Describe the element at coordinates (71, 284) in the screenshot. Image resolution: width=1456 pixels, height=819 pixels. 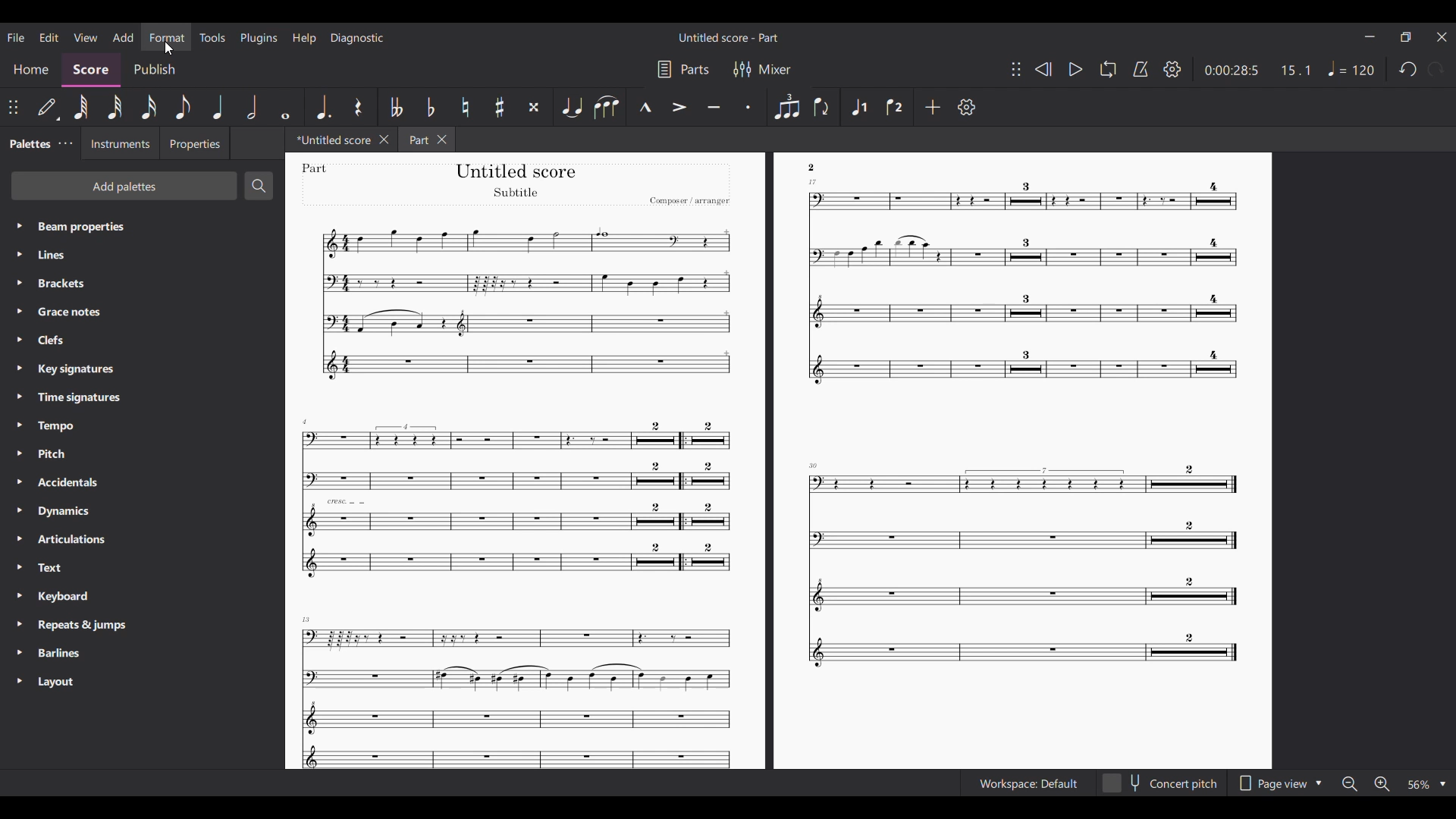
I see `Brackets` at that location.